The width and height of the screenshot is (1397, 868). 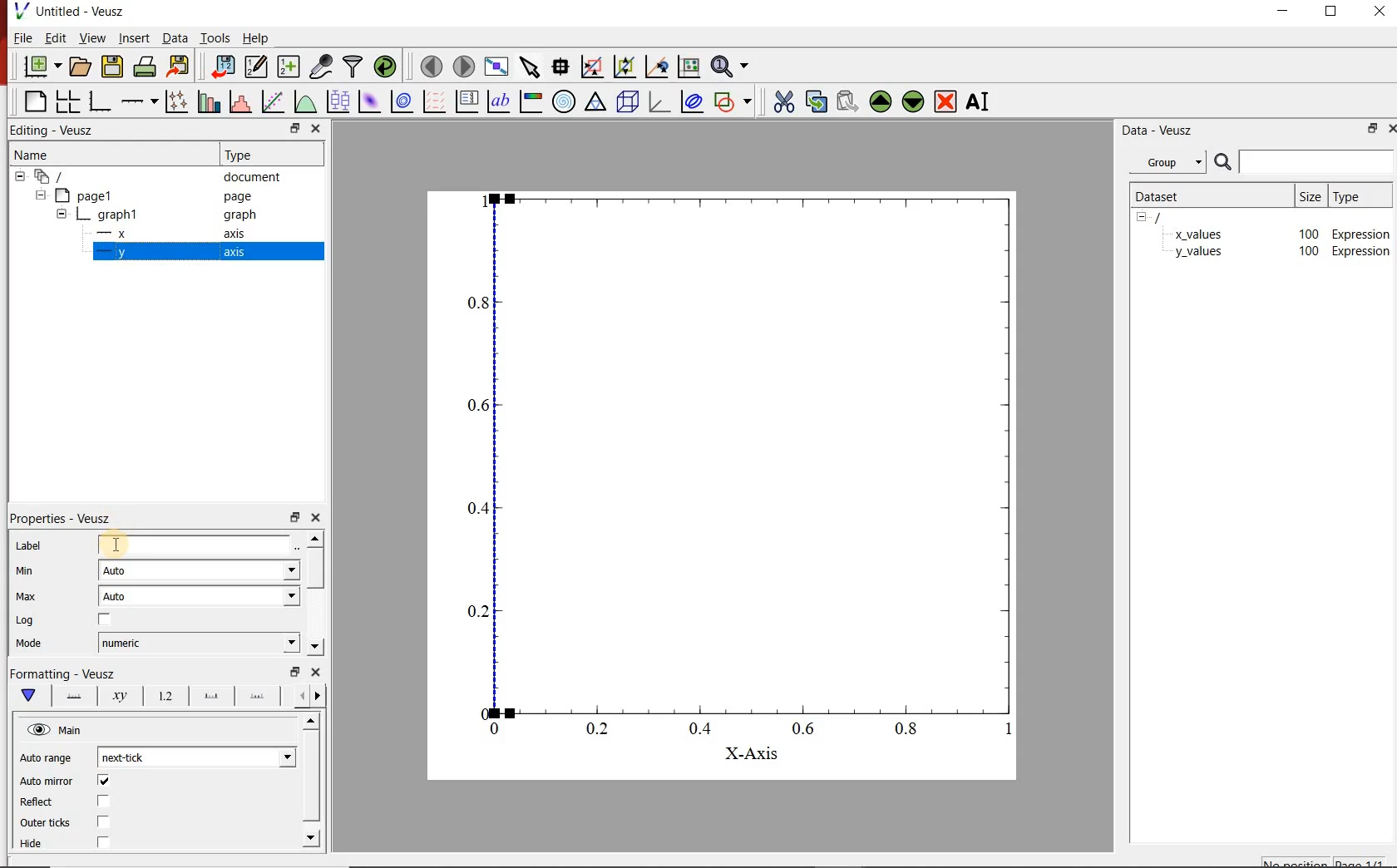 What do you see at coordinates (195, 545) in the screenshot?
I see `input label` at bounding box center [195, 545].